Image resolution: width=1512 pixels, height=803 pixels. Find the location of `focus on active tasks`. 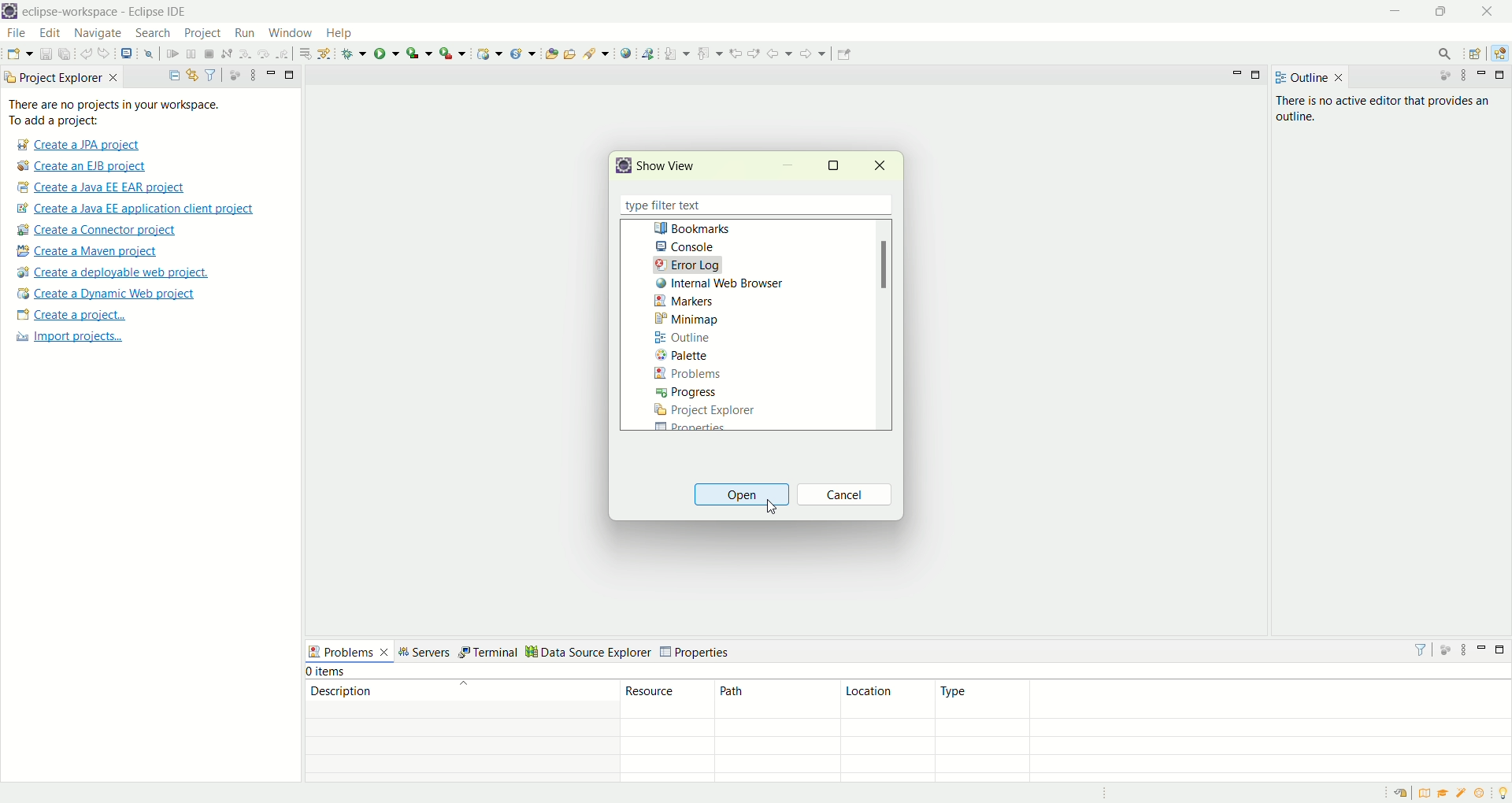

focus on active tasks is located at coordinates (232, 75).